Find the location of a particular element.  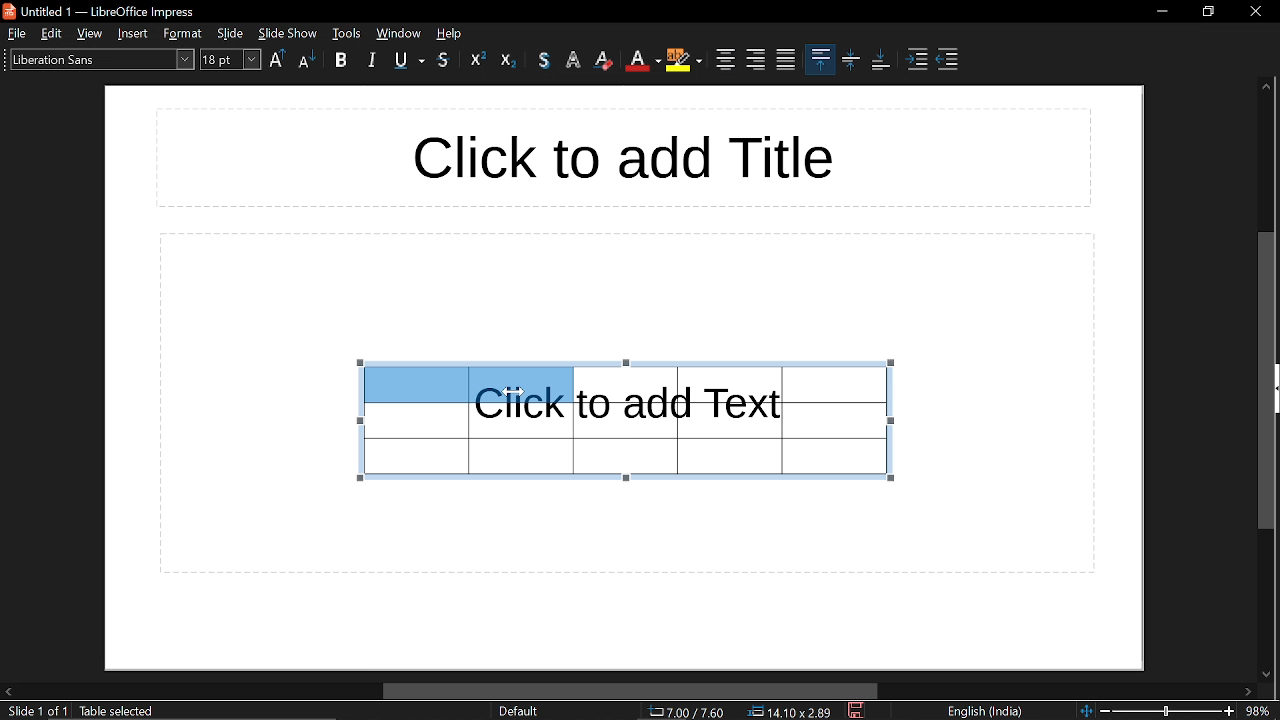

decrease indent is located at coordinates (946, 61).